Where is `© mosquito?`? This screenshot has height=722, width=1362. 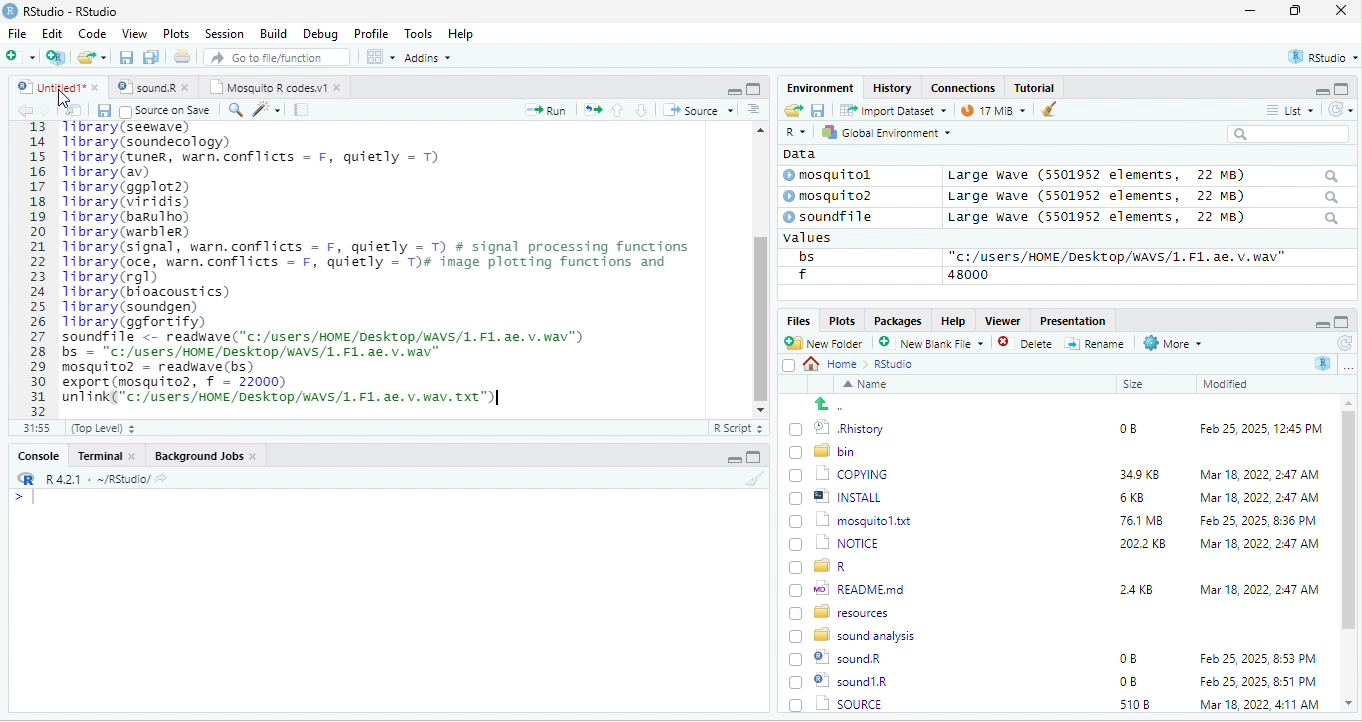 © mosquito? is located at coordinates (834, 194).